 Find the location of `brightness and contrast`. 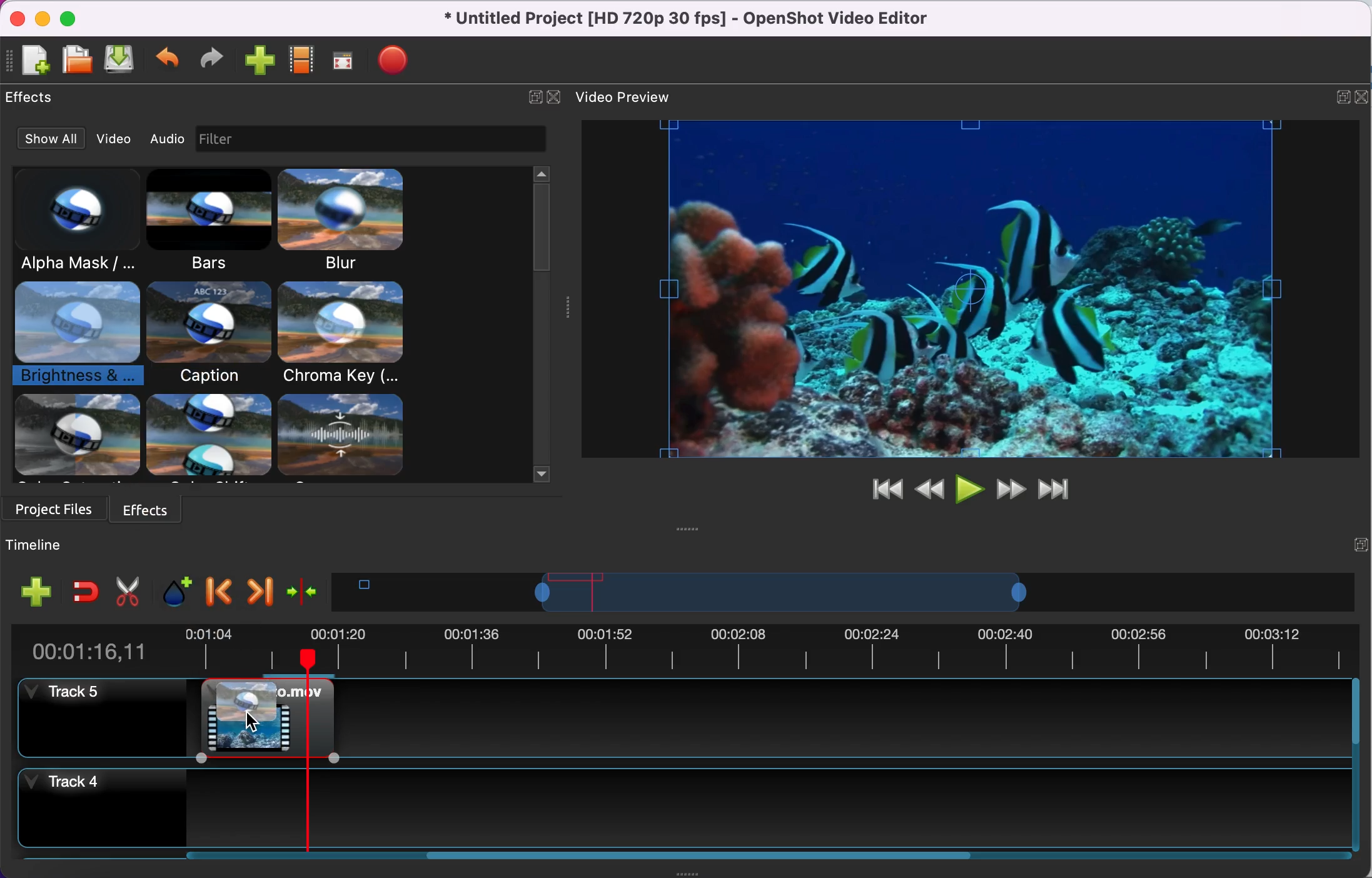

brightness and contrast is located at coordinates (78, 336).